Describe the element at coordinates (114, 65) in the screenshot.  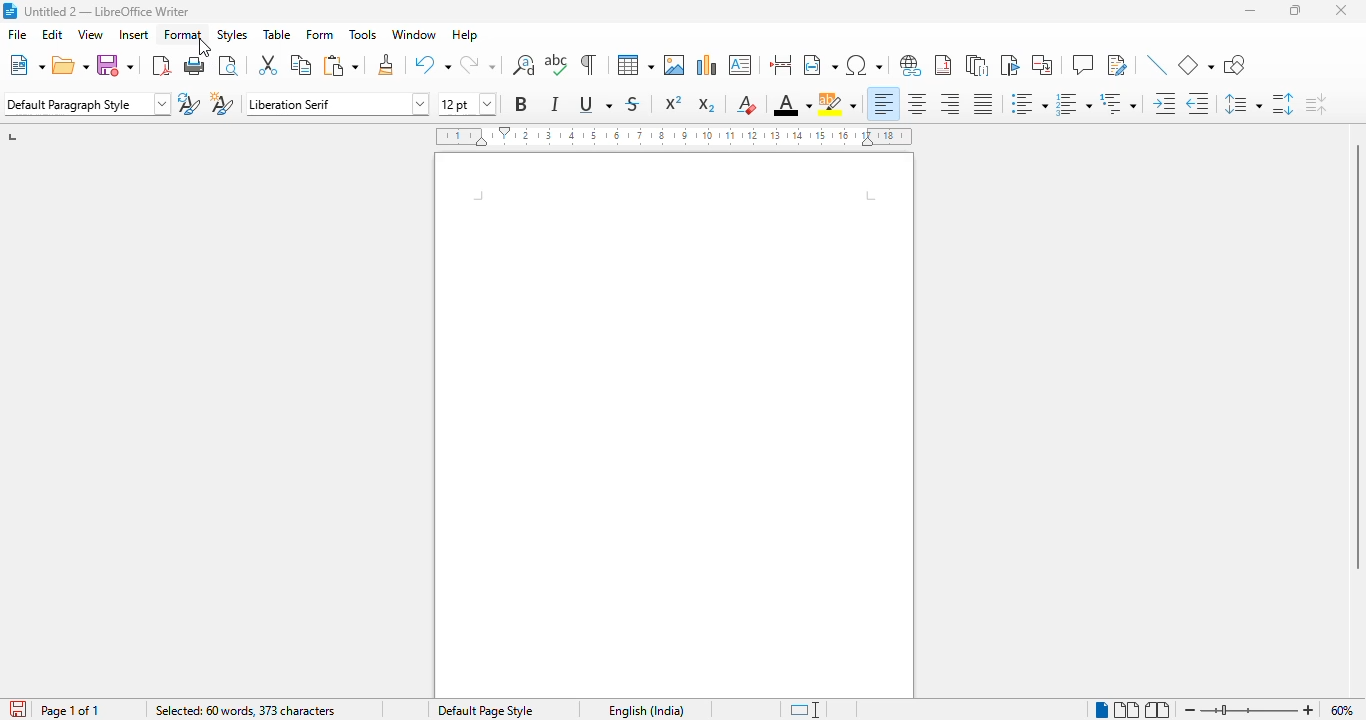
I see `save` at that location.